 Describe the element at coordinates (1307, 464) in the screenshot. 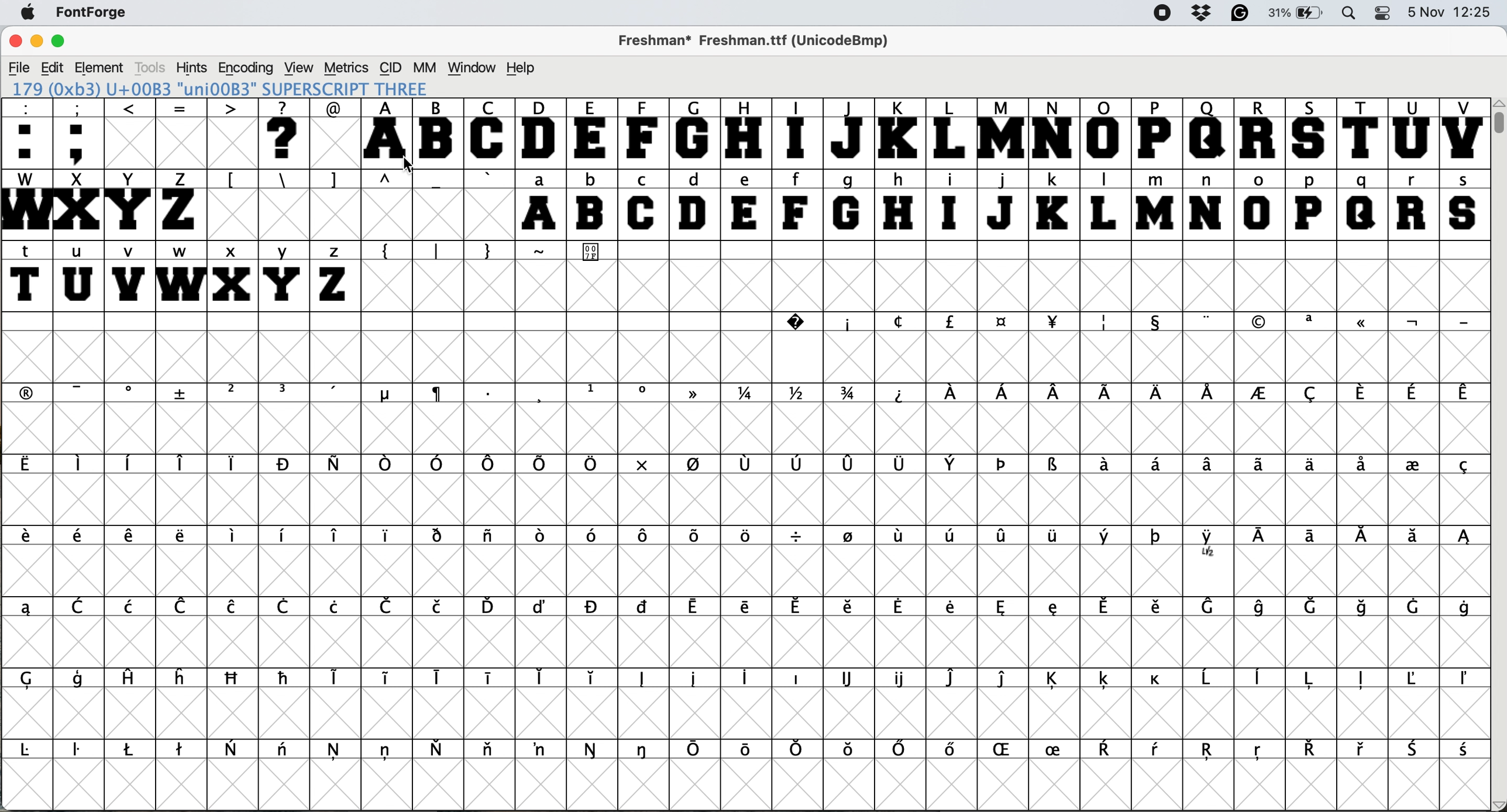

I see `symbol` at that location.